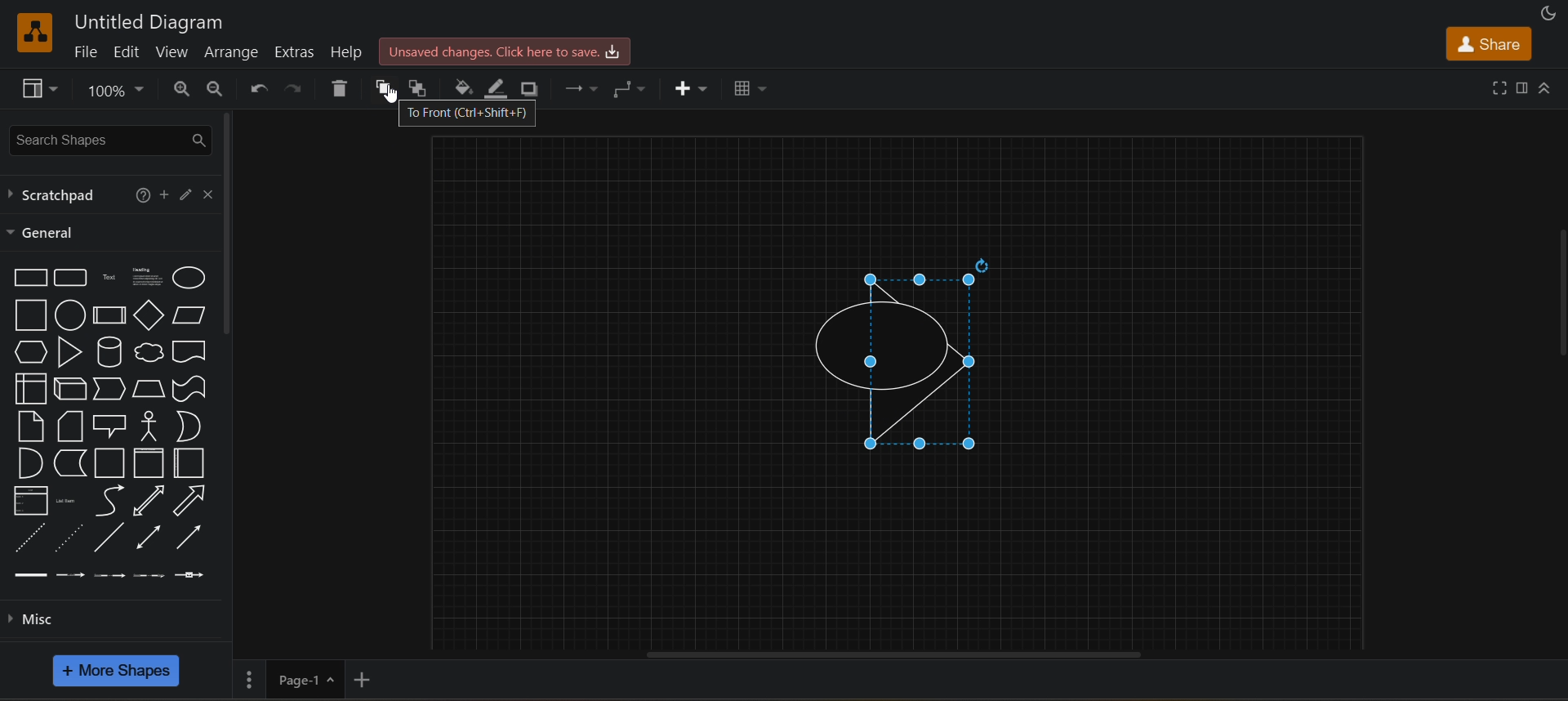 This screenshot has width=1568, height=701. I want to click on callout, so click(113, 426).